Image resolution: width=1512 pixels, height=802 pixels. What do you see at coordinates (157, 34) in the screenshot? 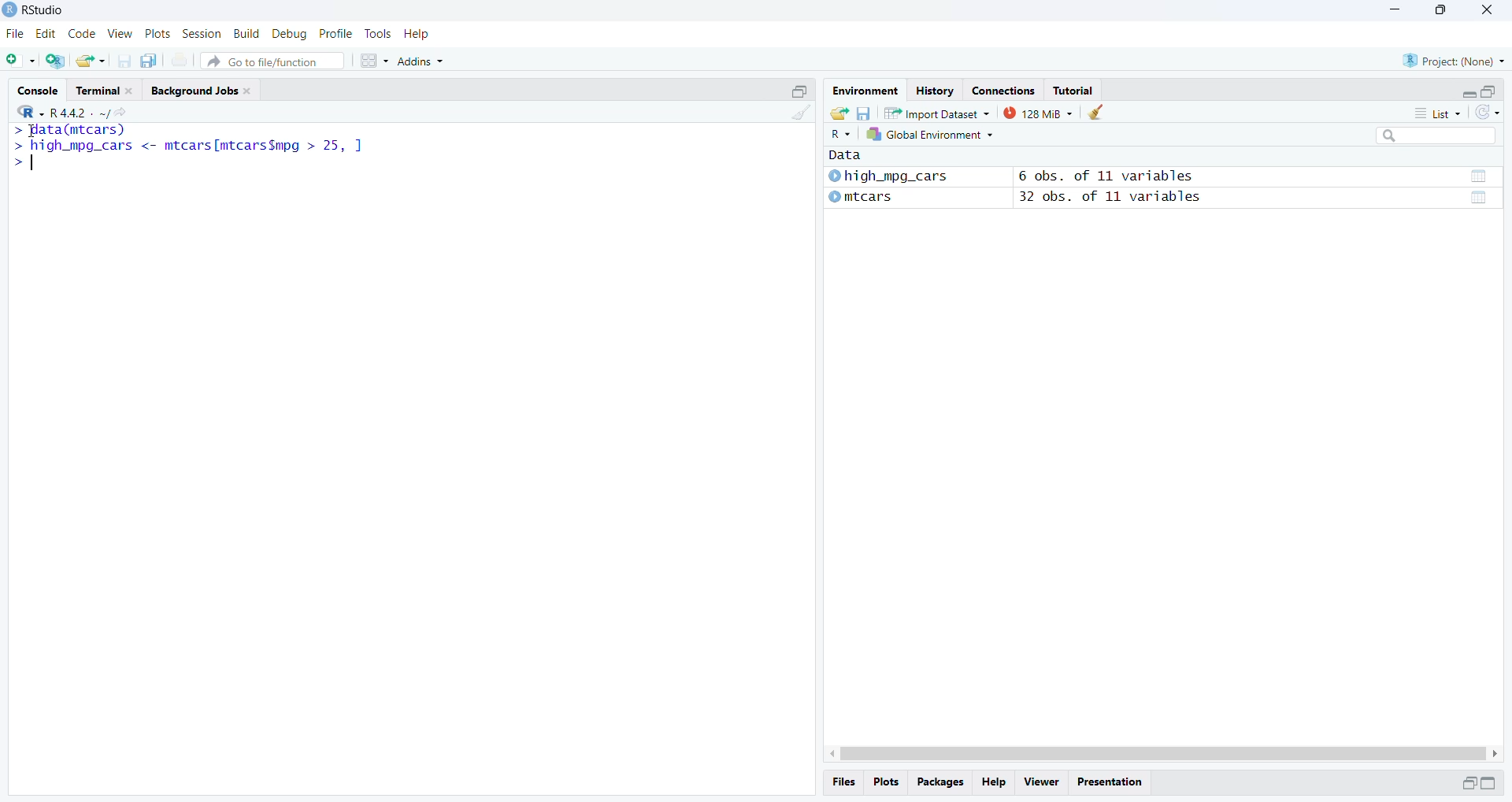
I see `Plots` at bounding box center [157, 34].